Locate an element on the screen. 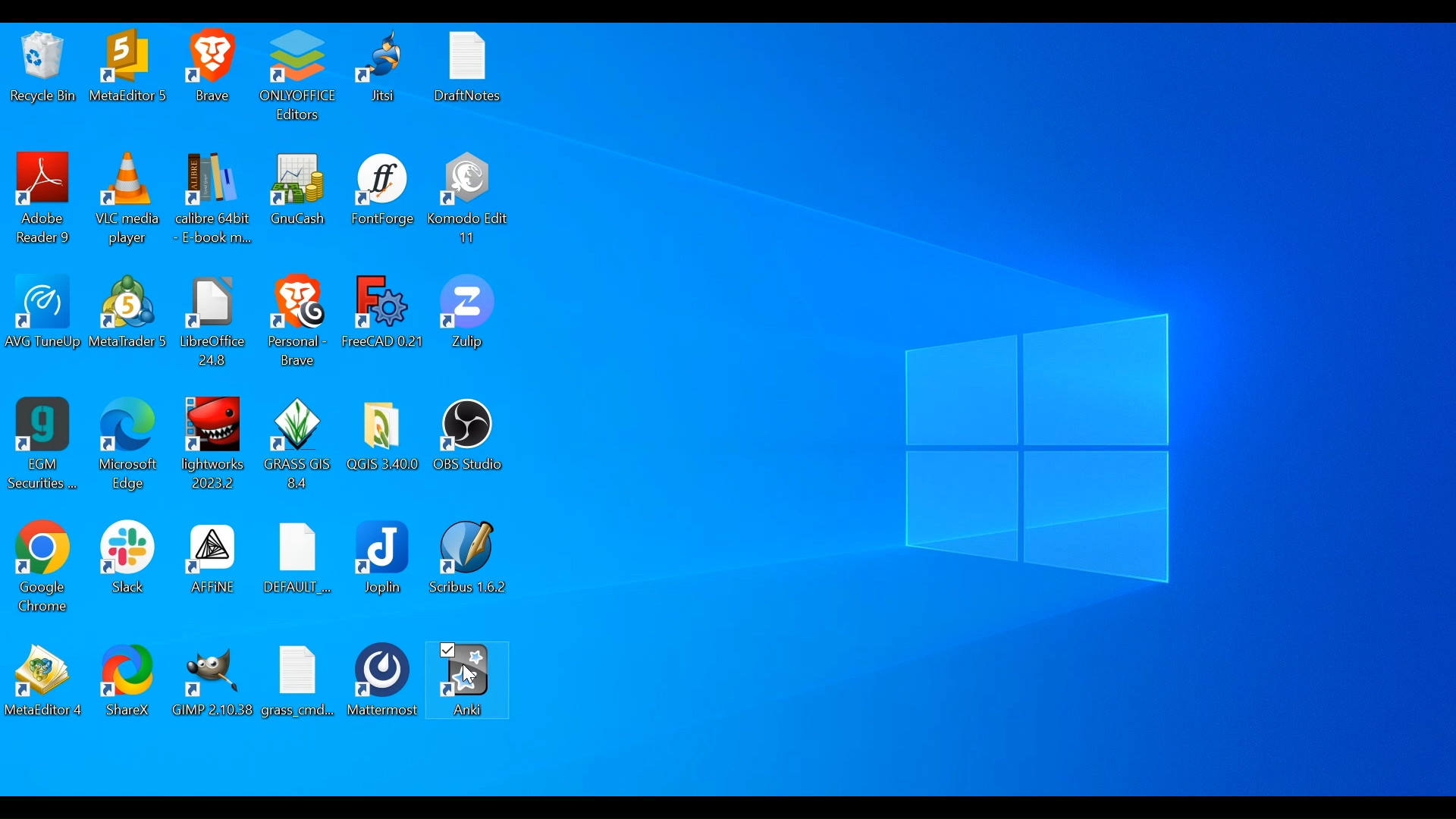  Brave Desktop icon is located at coordinates (297, 323).